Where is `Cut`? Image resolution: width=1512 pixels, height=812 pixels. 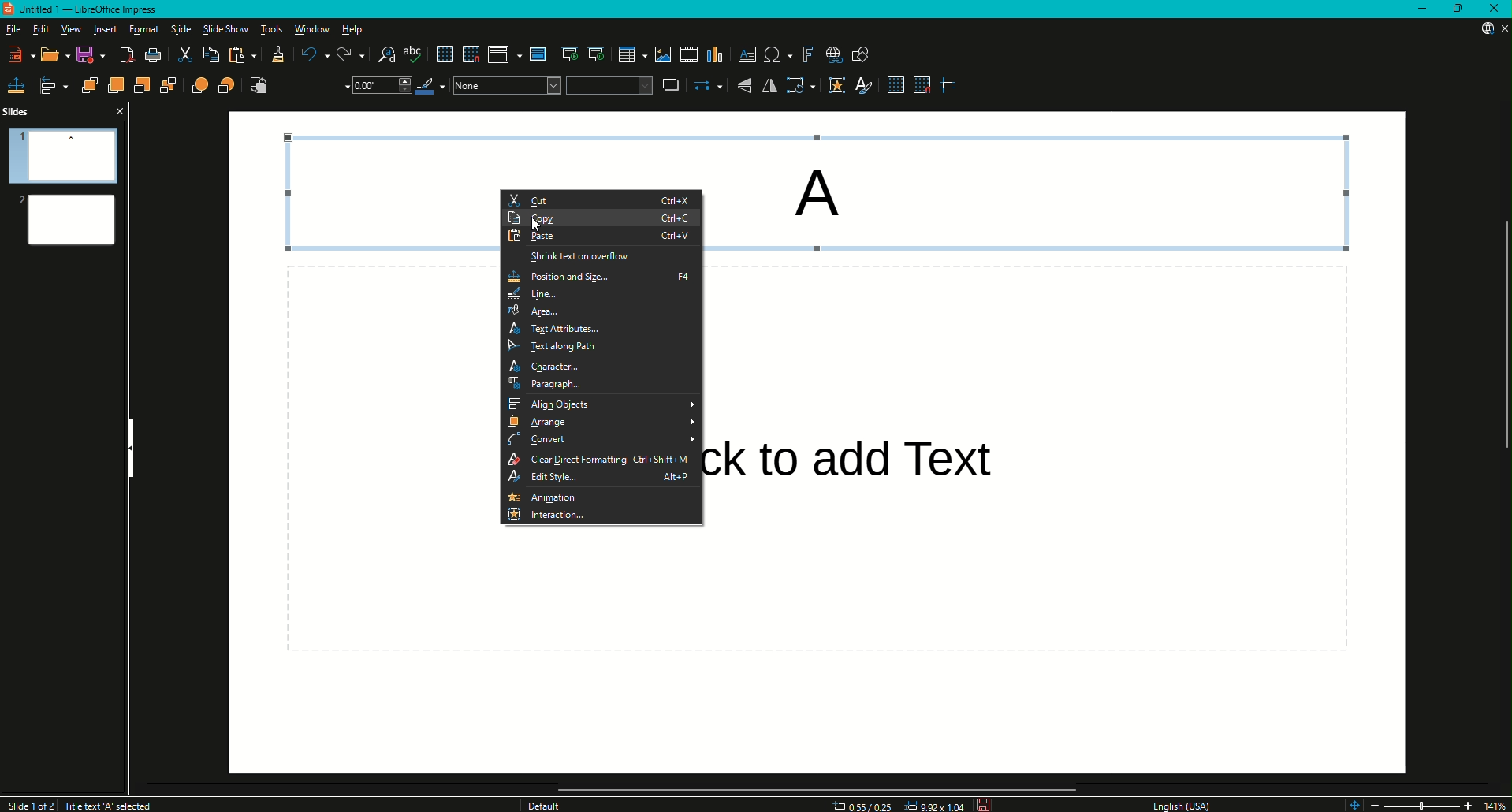 Cut is located at coordinates (601, 198).